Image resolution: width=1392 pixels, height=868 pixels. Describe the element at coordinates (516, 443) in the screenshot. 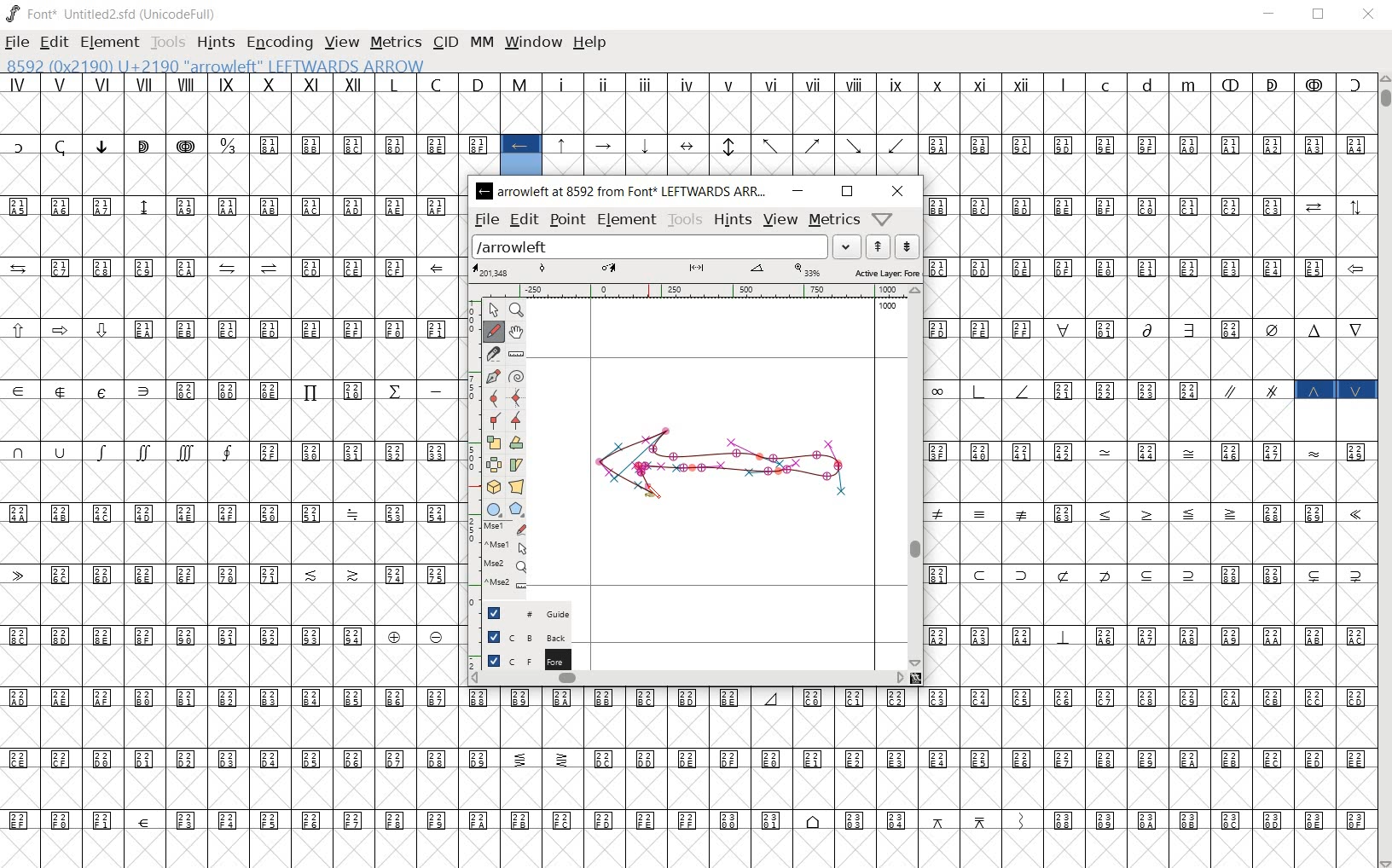

I see `Rotate the selection` at that location.